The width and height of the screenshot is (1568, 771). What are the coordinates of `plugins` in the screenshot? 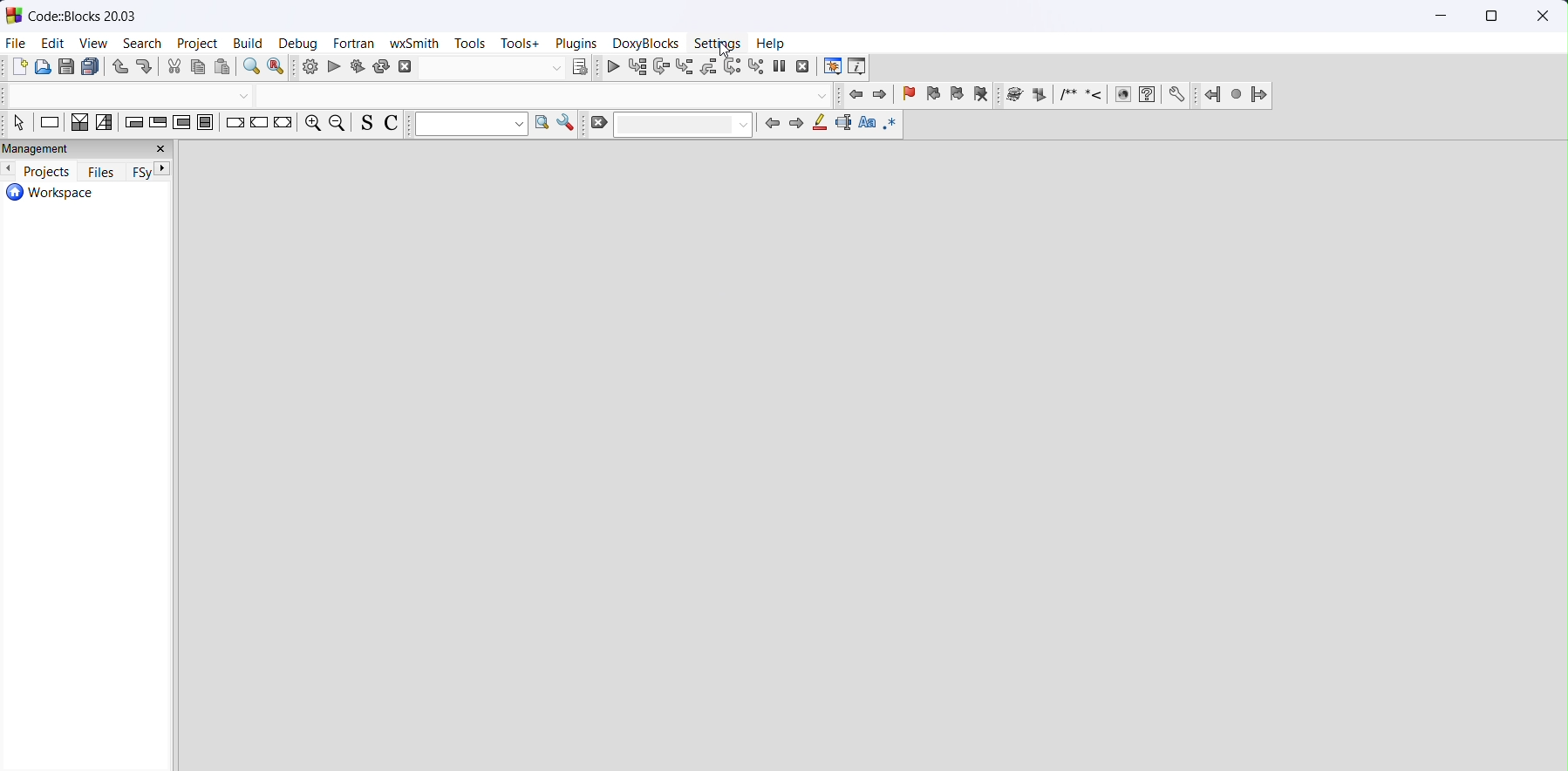 It's located at (576, 44).